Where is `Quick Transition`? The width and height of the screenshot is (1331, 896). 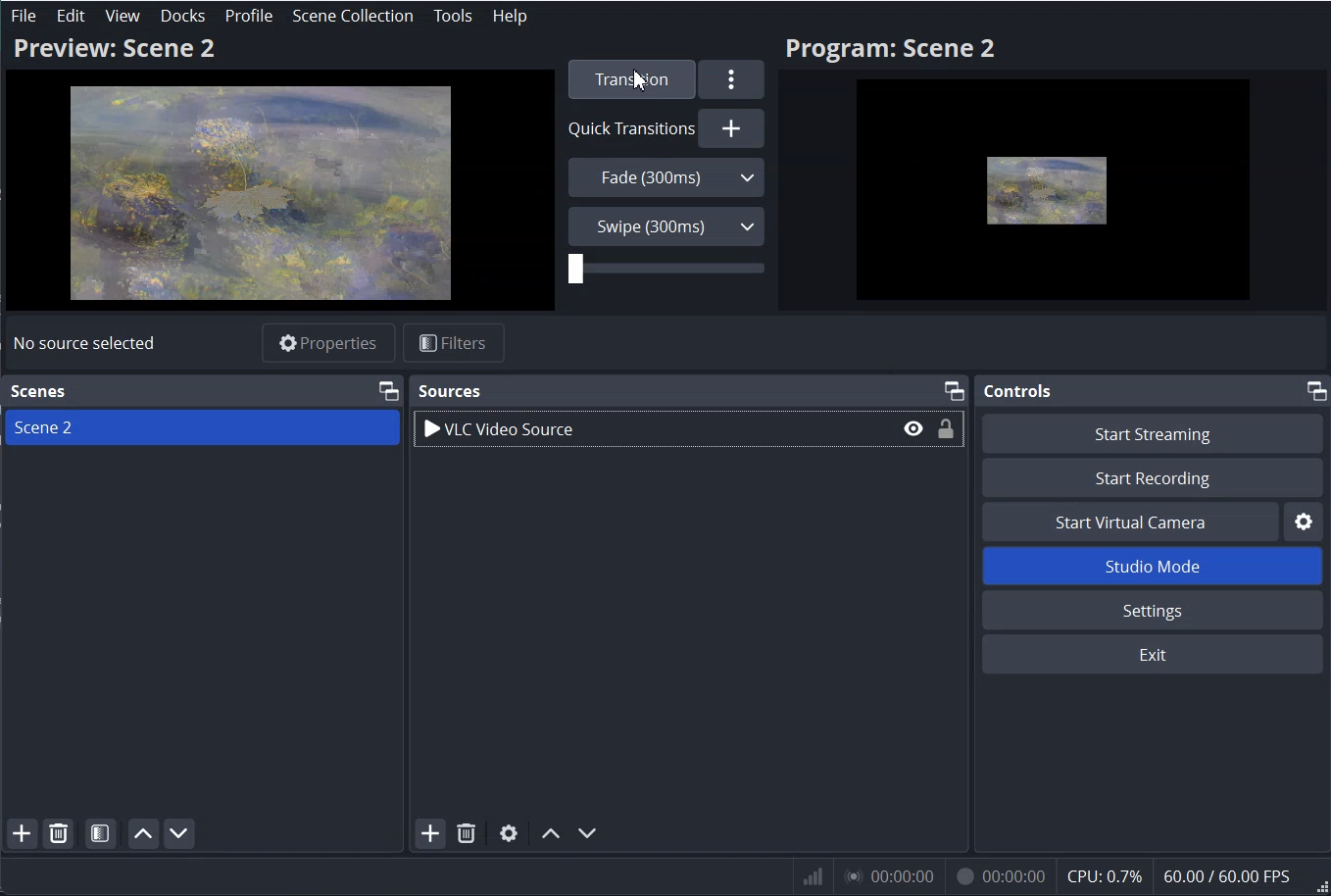 Quick Transition is located at coordinates (665, 127).